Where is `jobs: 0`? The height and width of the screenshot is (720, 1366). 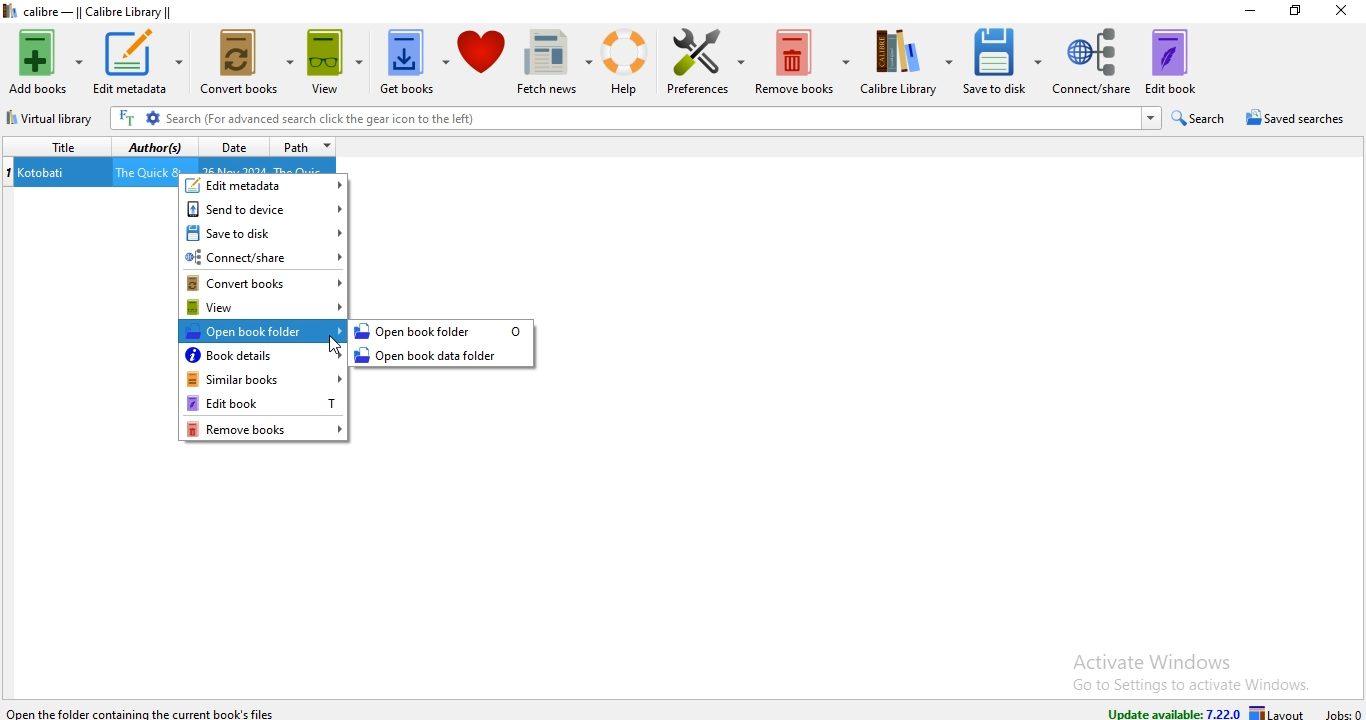 jobs: 0 is located at coordinates (1343, 711).